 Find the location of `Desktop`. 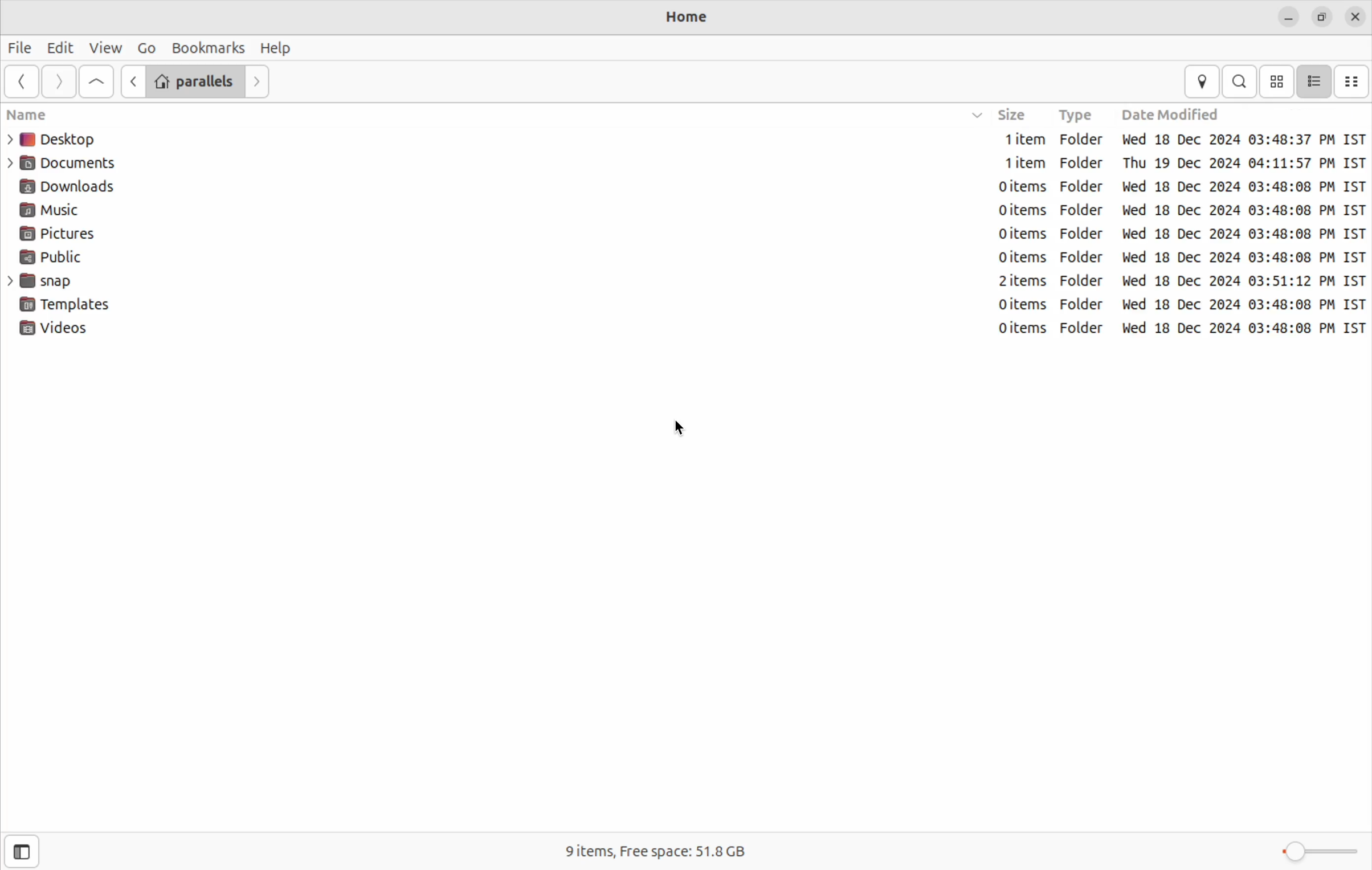

Desktop is located at coordinates (58, 138).